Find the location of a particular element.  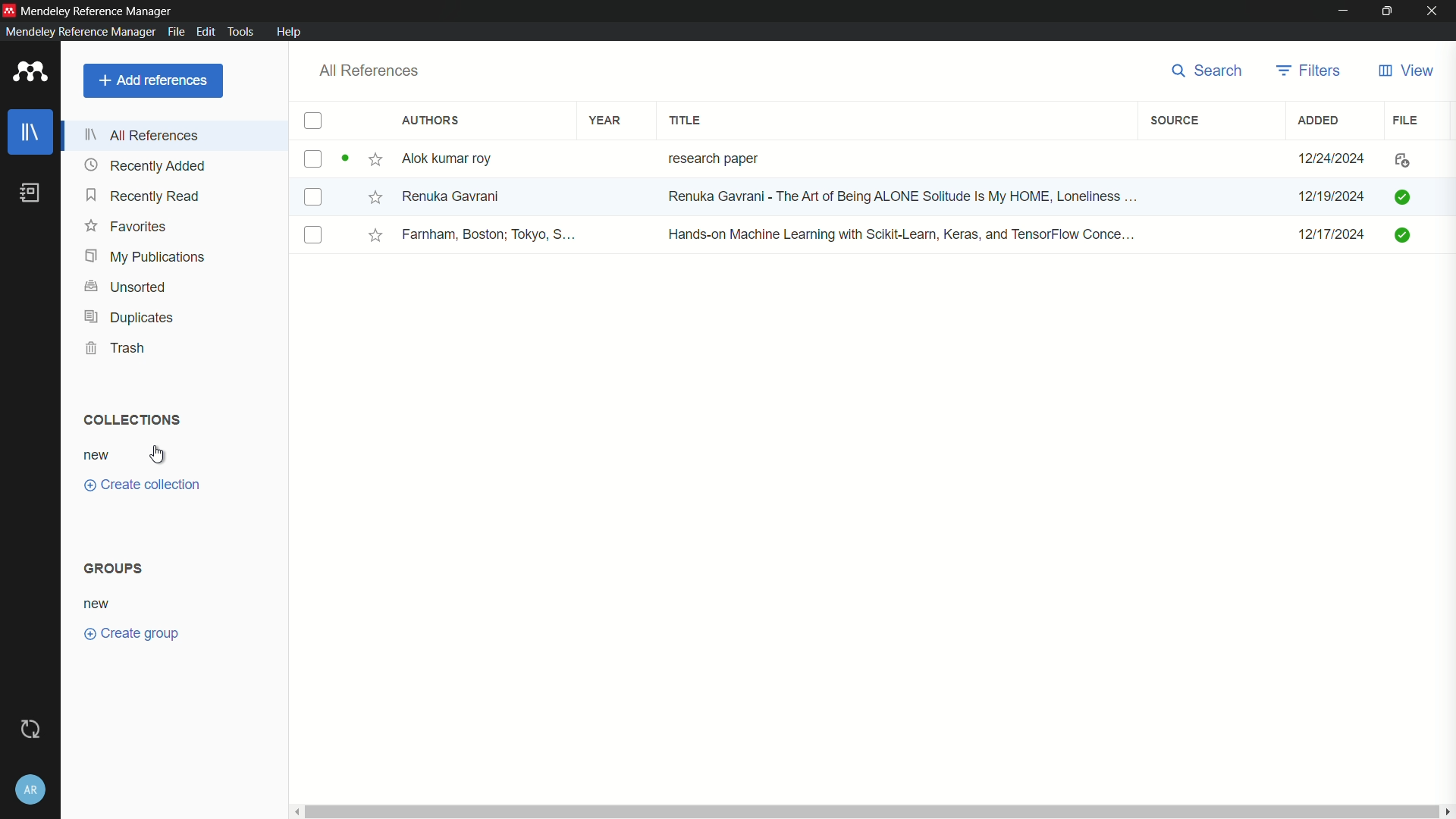

sync is located at coordinates (31, 729).